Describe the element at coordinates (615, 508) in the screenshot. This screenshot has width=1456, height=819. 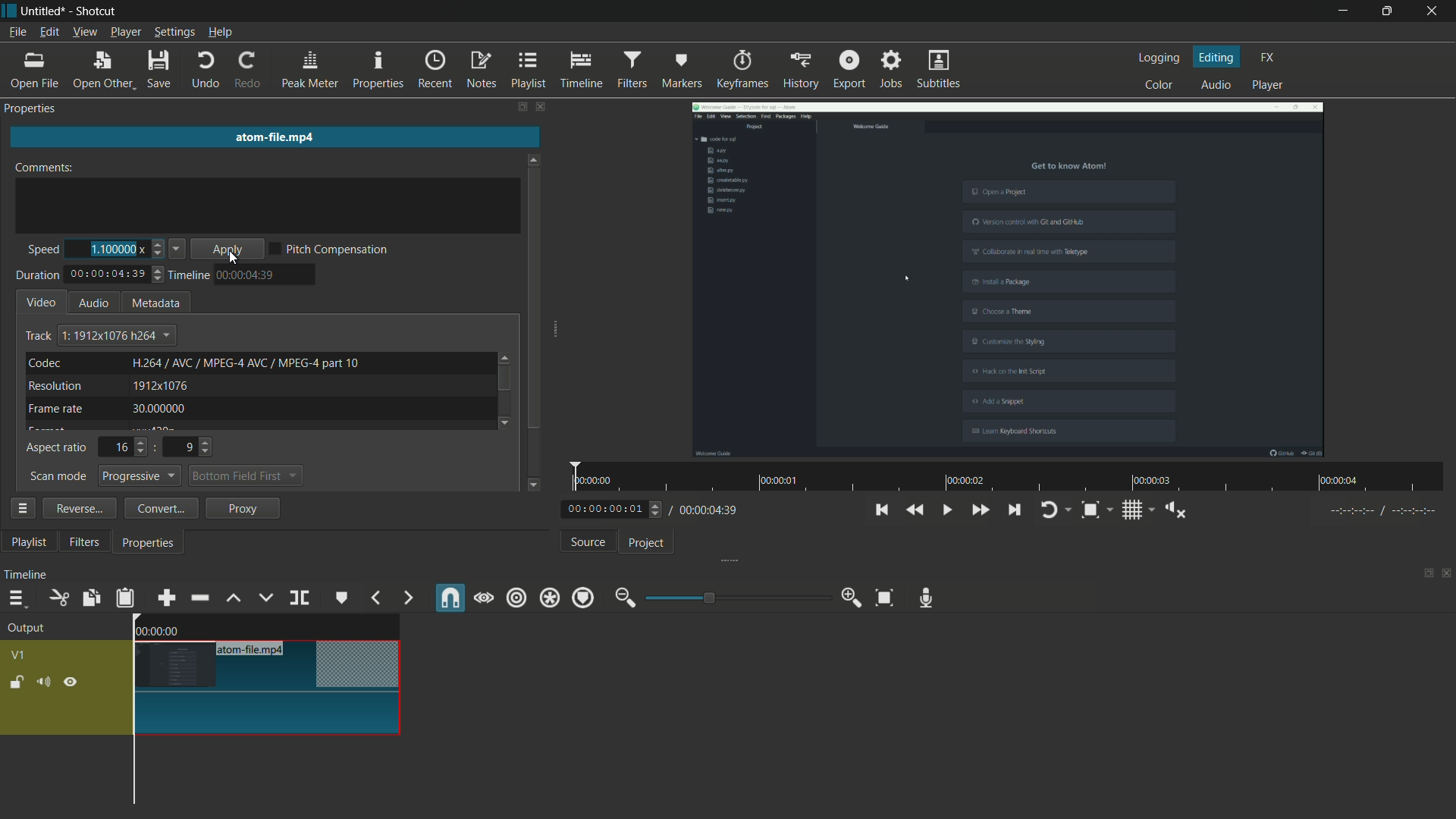
I see `adjust current time` at that location.